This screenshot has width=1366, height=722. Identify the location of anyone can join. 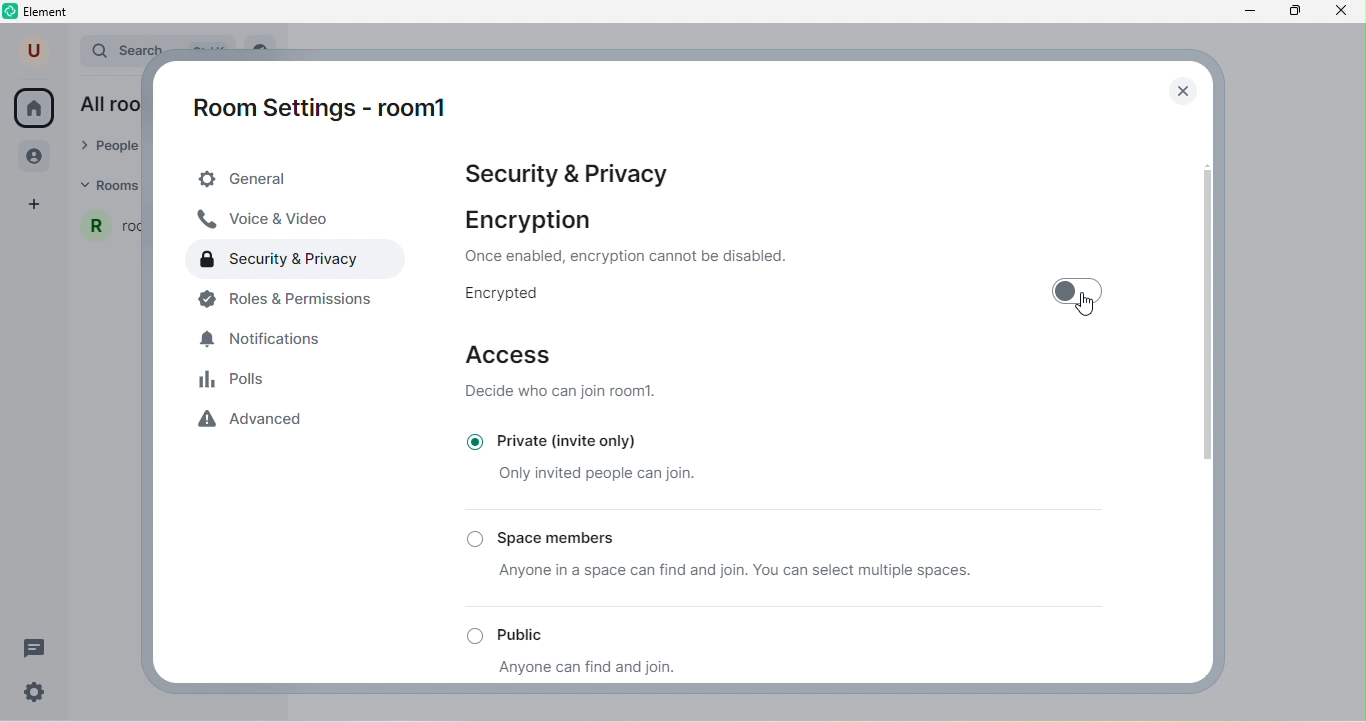
(591, 669).